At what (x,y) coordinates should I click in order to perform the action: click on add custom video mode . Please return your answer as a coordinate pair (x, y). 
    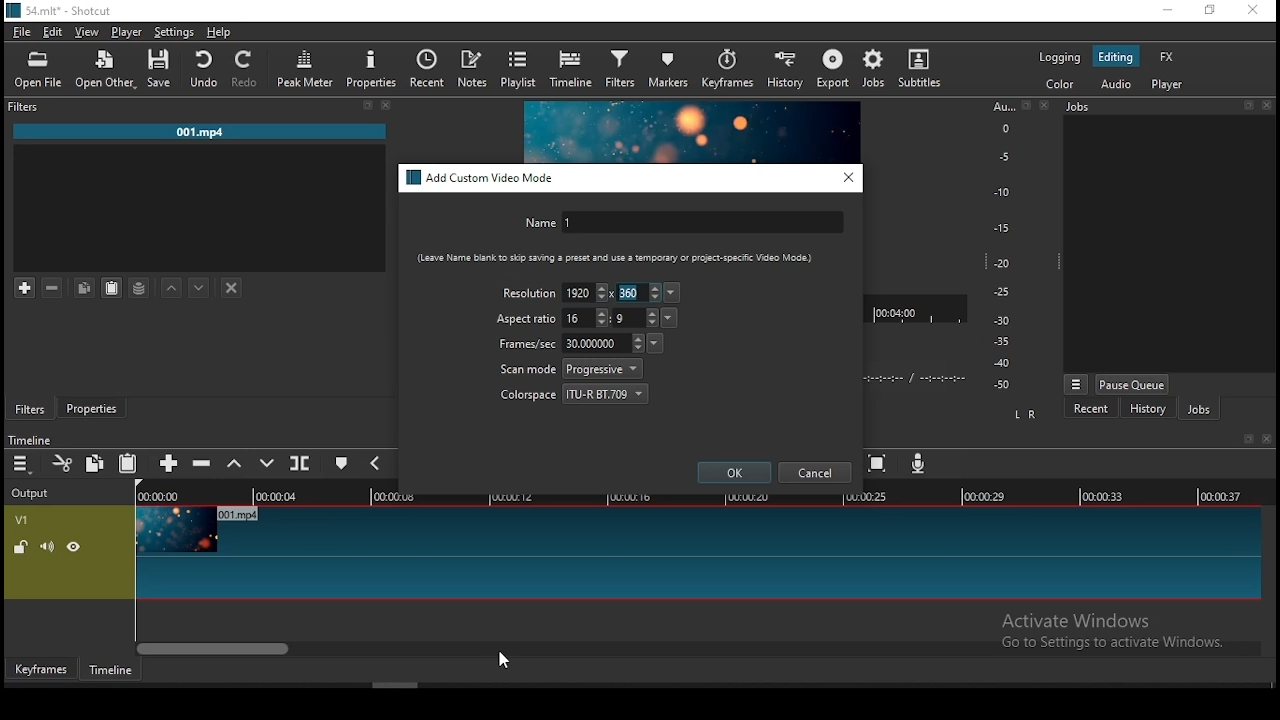
    Looking at the image, I should click on (482, 178).